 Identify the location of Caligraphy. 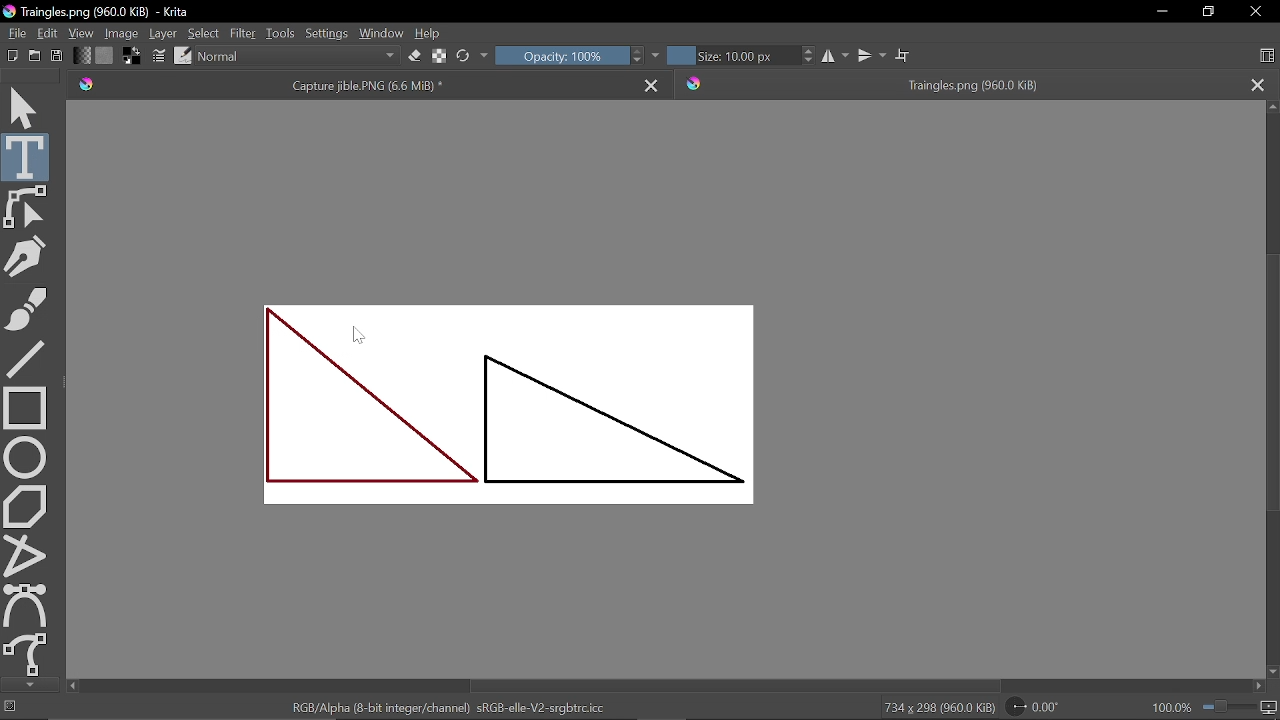
(28, 255).